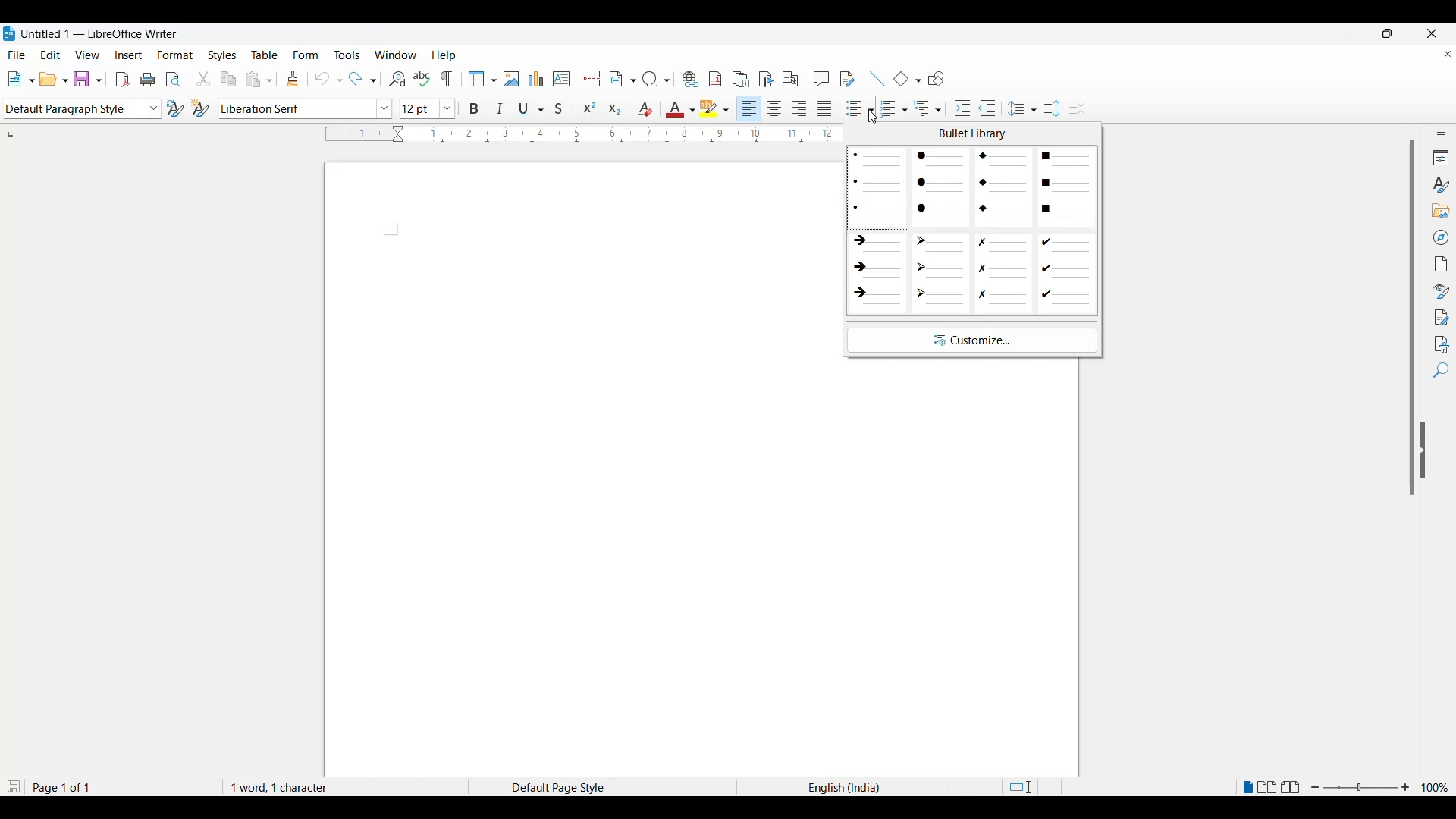  I want to click on Styles, so click(1440, 184).